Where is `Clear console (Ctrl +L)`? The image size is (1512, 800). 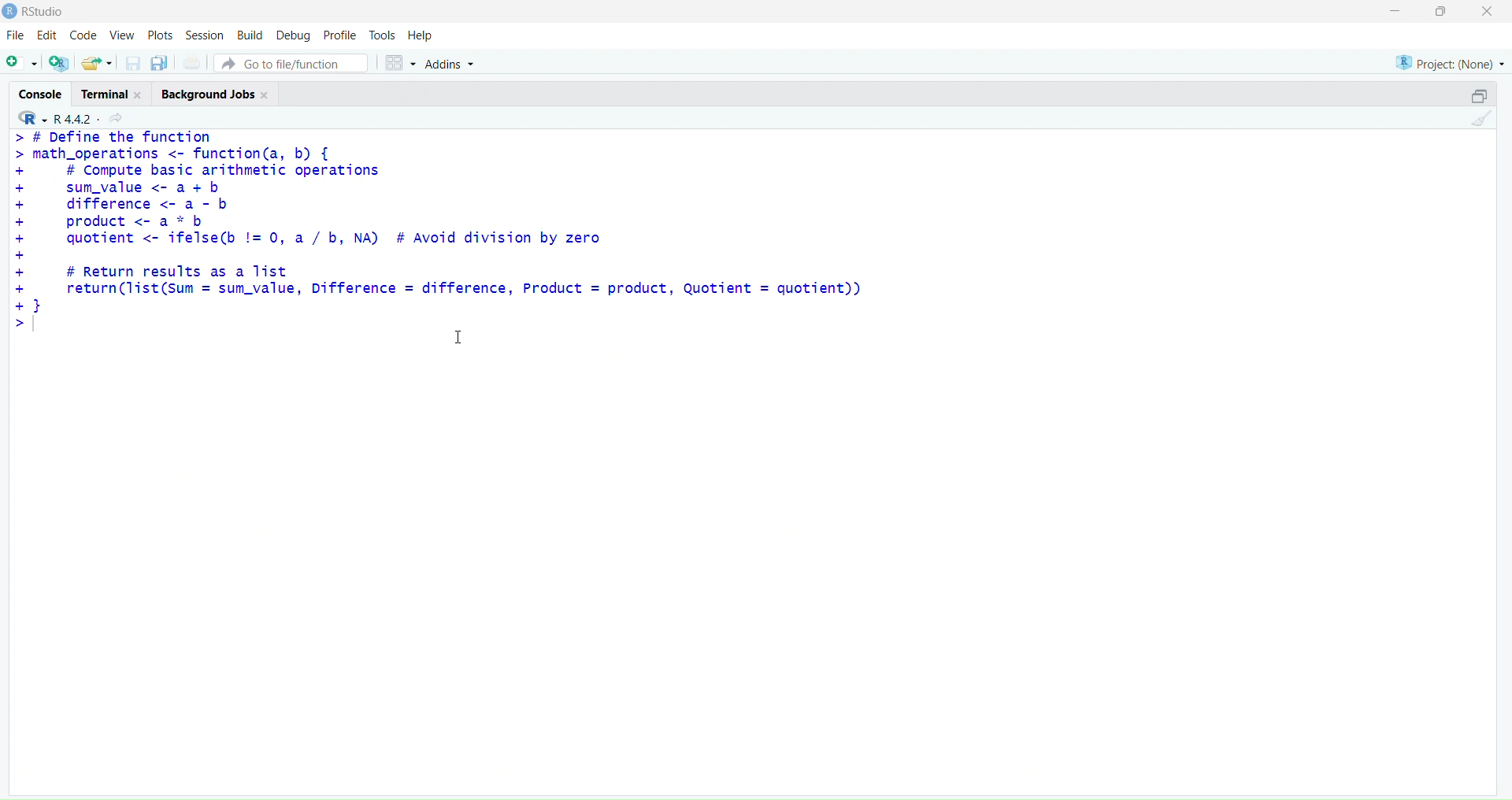 Clear console (Ctrl +L) is located at coordinates (1478, 122).